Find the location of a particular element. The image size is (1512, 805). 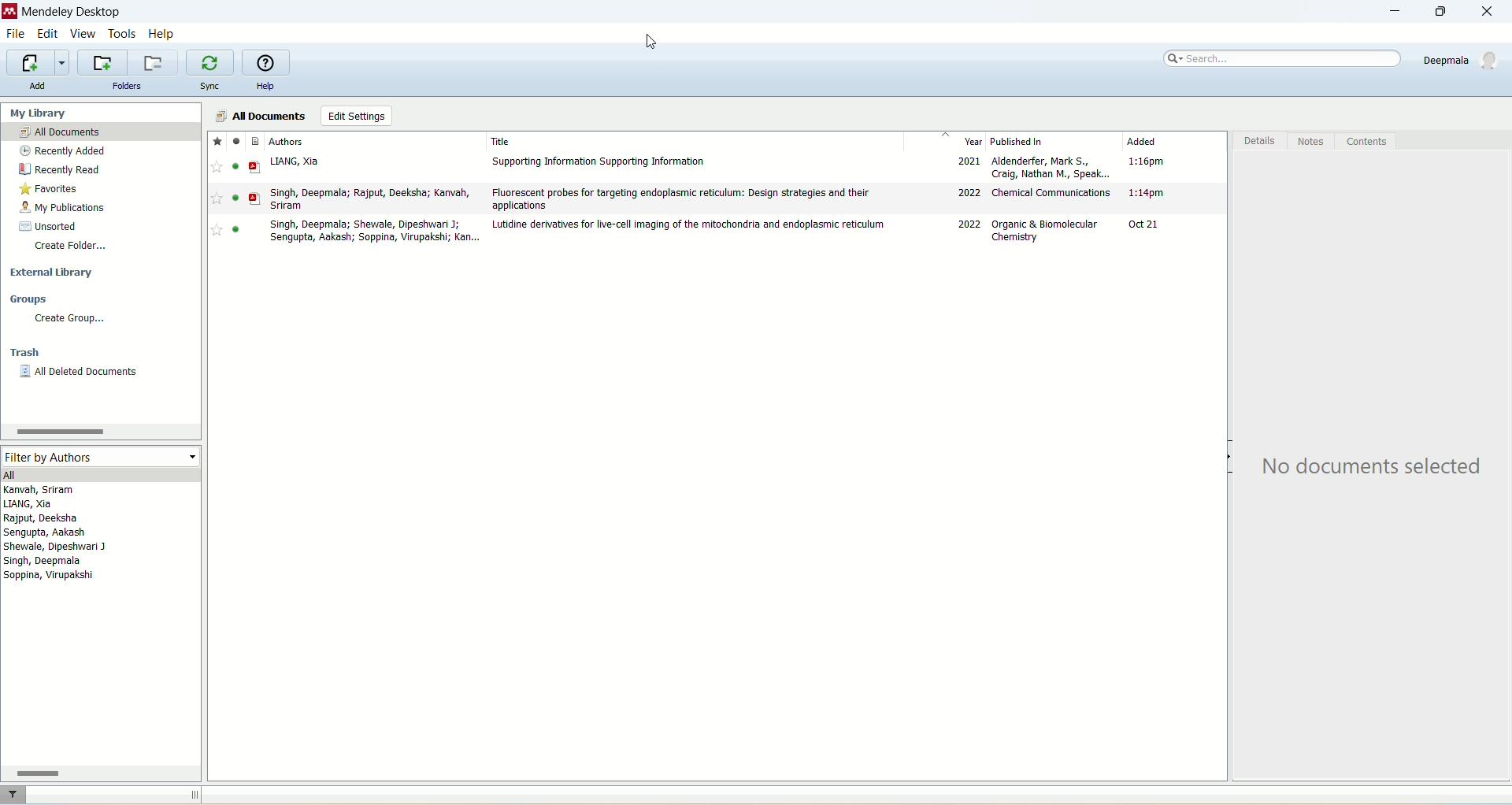

read/unread is located at coordinates (239, 199).